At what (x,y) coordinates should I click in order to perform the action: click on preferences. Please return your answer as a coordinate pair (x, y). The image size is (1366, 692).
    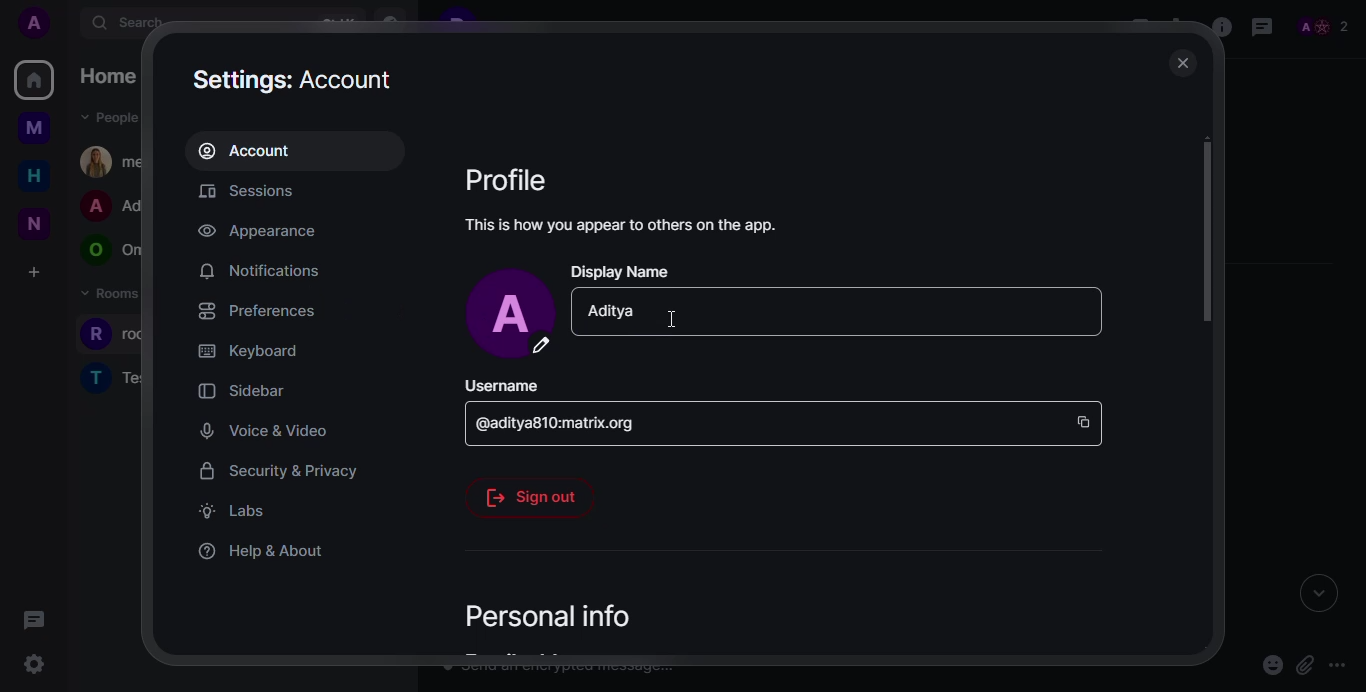
    Looking at the image, I should click on (254, 309).